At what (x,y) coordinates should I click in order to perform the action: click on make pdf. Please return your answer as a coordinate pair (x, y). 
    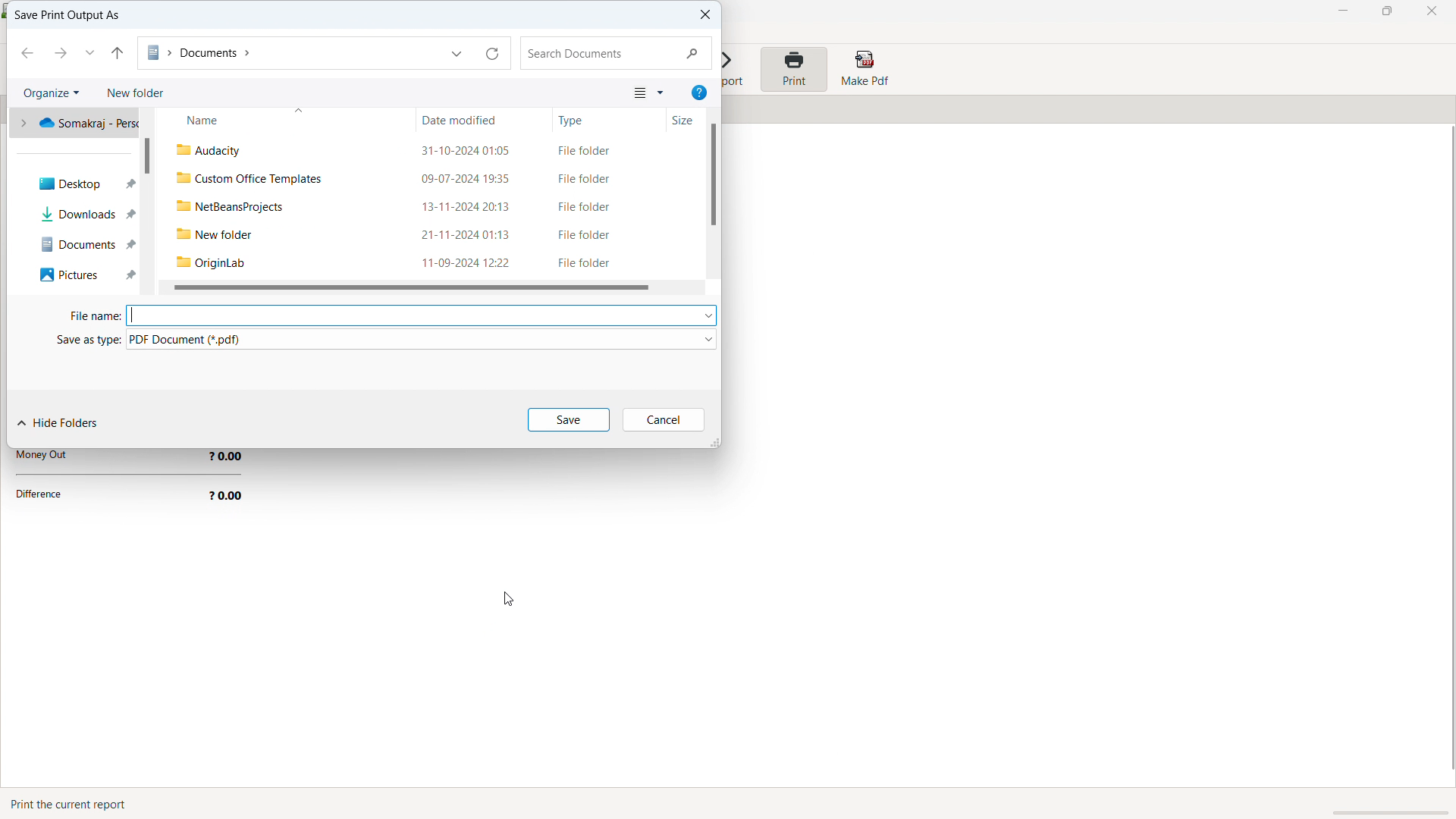
    Looking at the image, I should click on (864, 69).